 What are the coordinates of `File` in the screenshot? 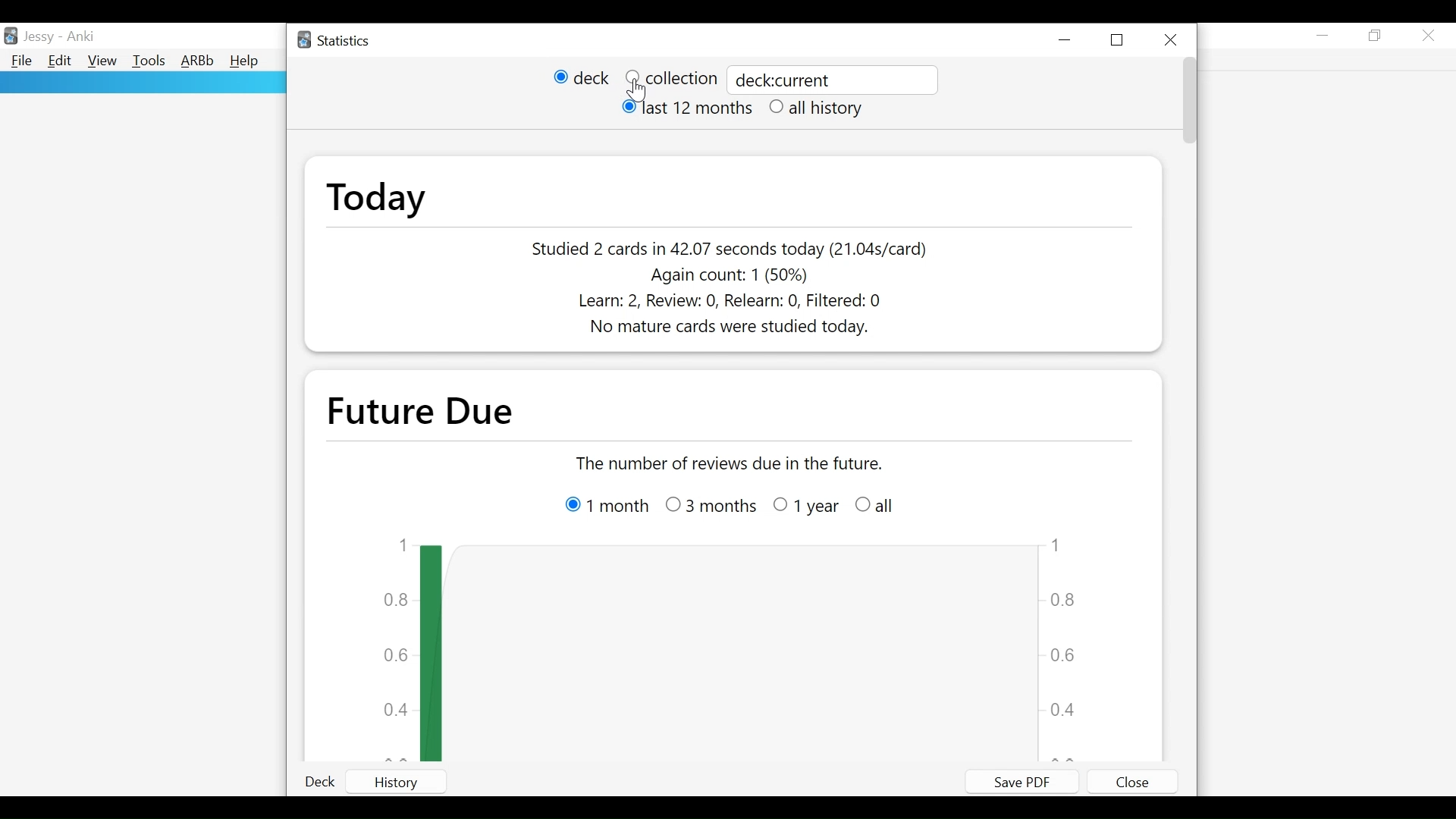 It's located at (20, 61).